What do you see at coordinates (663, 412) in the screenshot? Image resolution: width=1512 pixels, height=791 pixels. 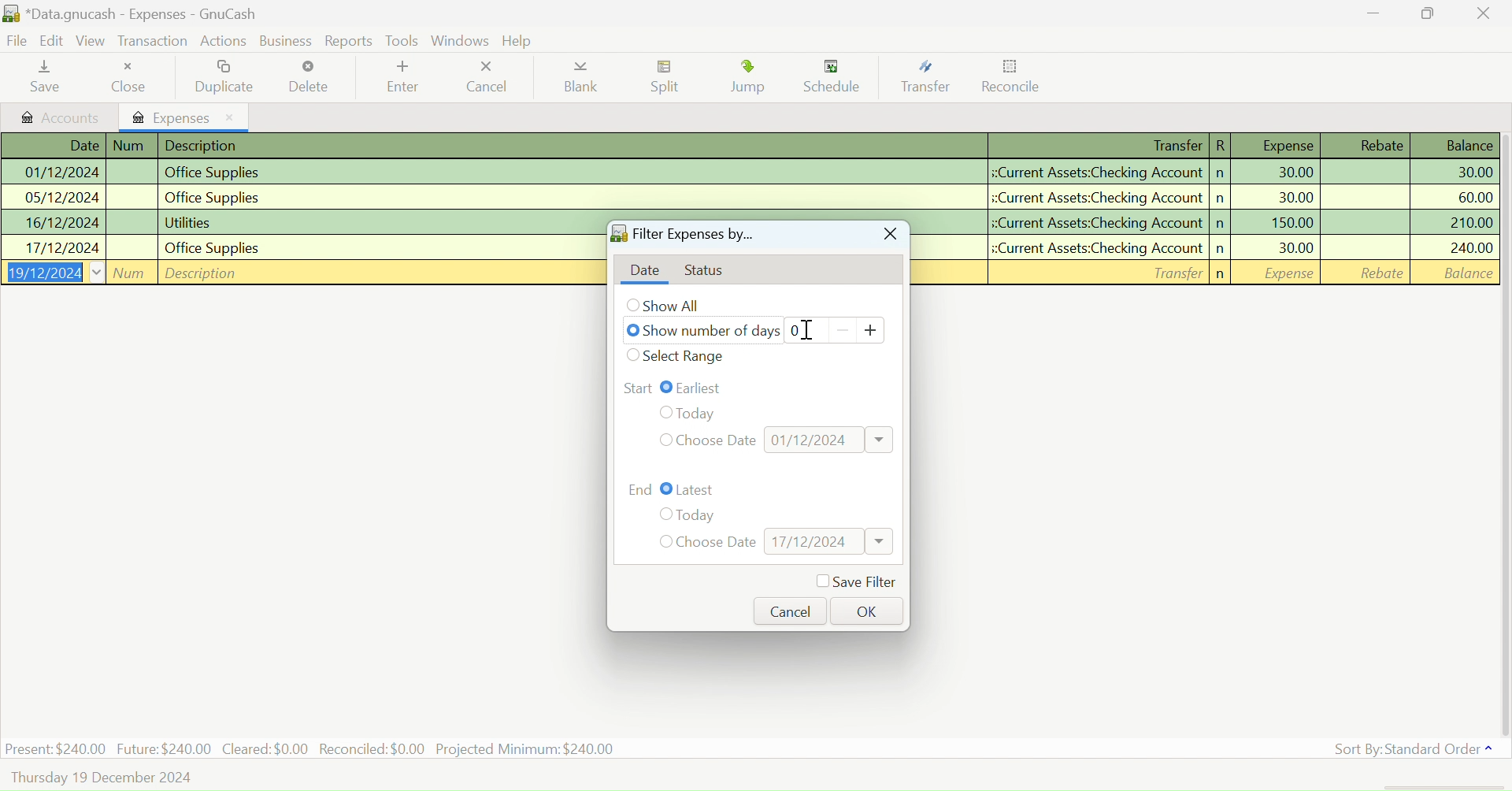 I see `Checkbox` at bounding box center [663, 412].